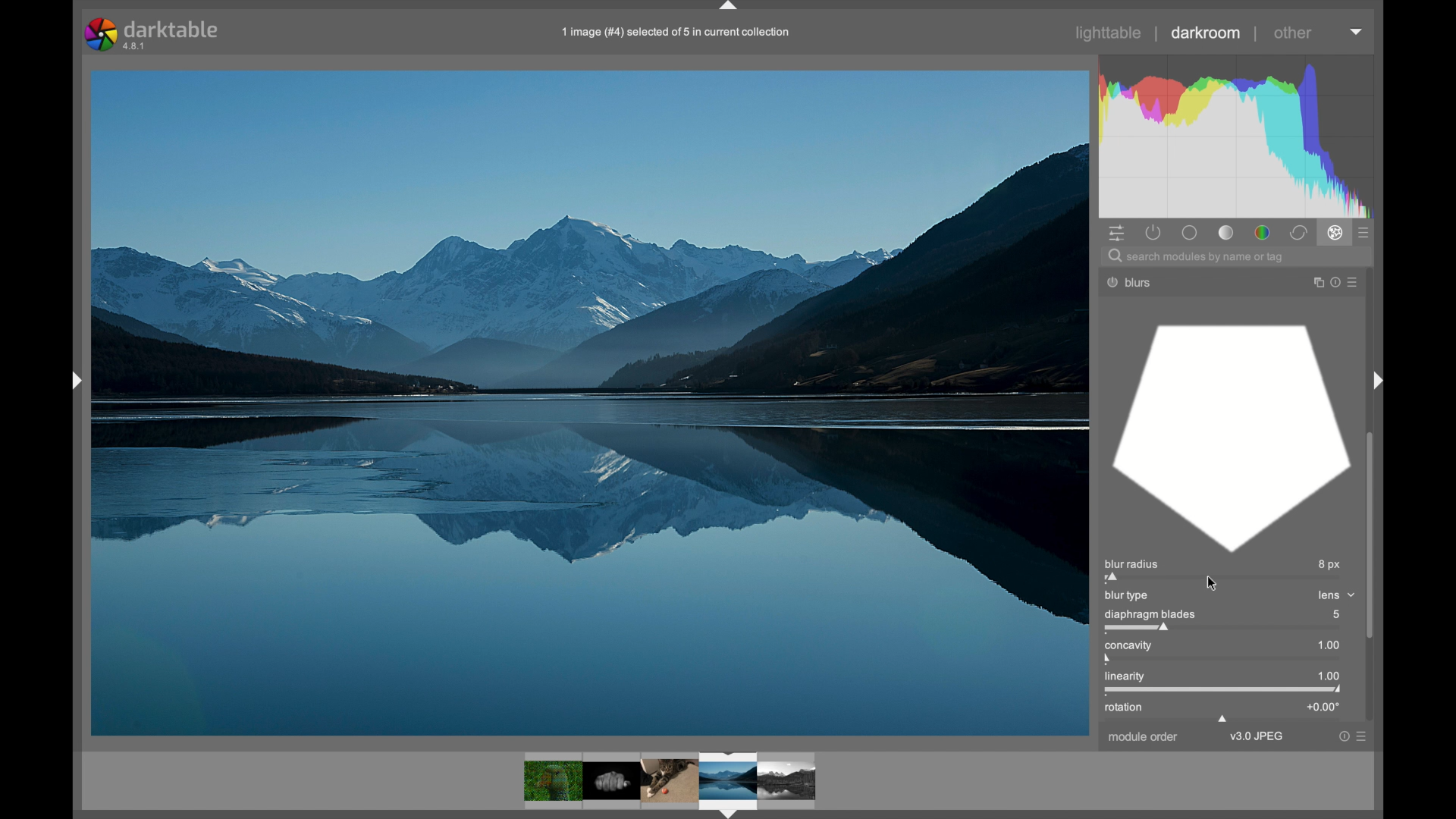 The height and width of the screenshot is (819, 1456). What do you see at coordinates (1196, 256) in the screenshot?
I see `search module by name or tag` at bounding box center [1196, 256].